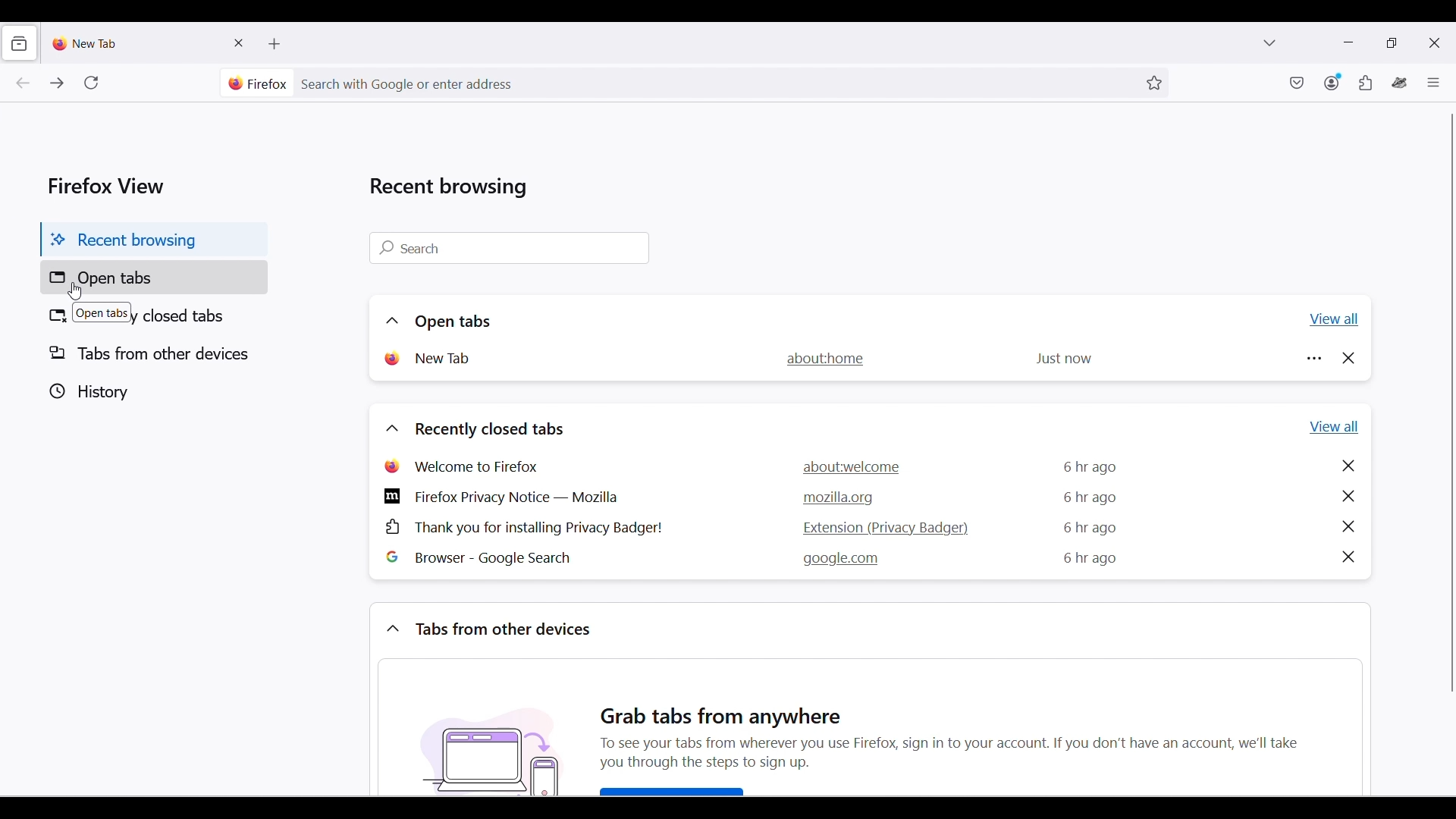 This screenshot has width=1456, height=819. Describe the element at coordinates (154, 277) in the screenshot. I see `Open tabs` at that location.